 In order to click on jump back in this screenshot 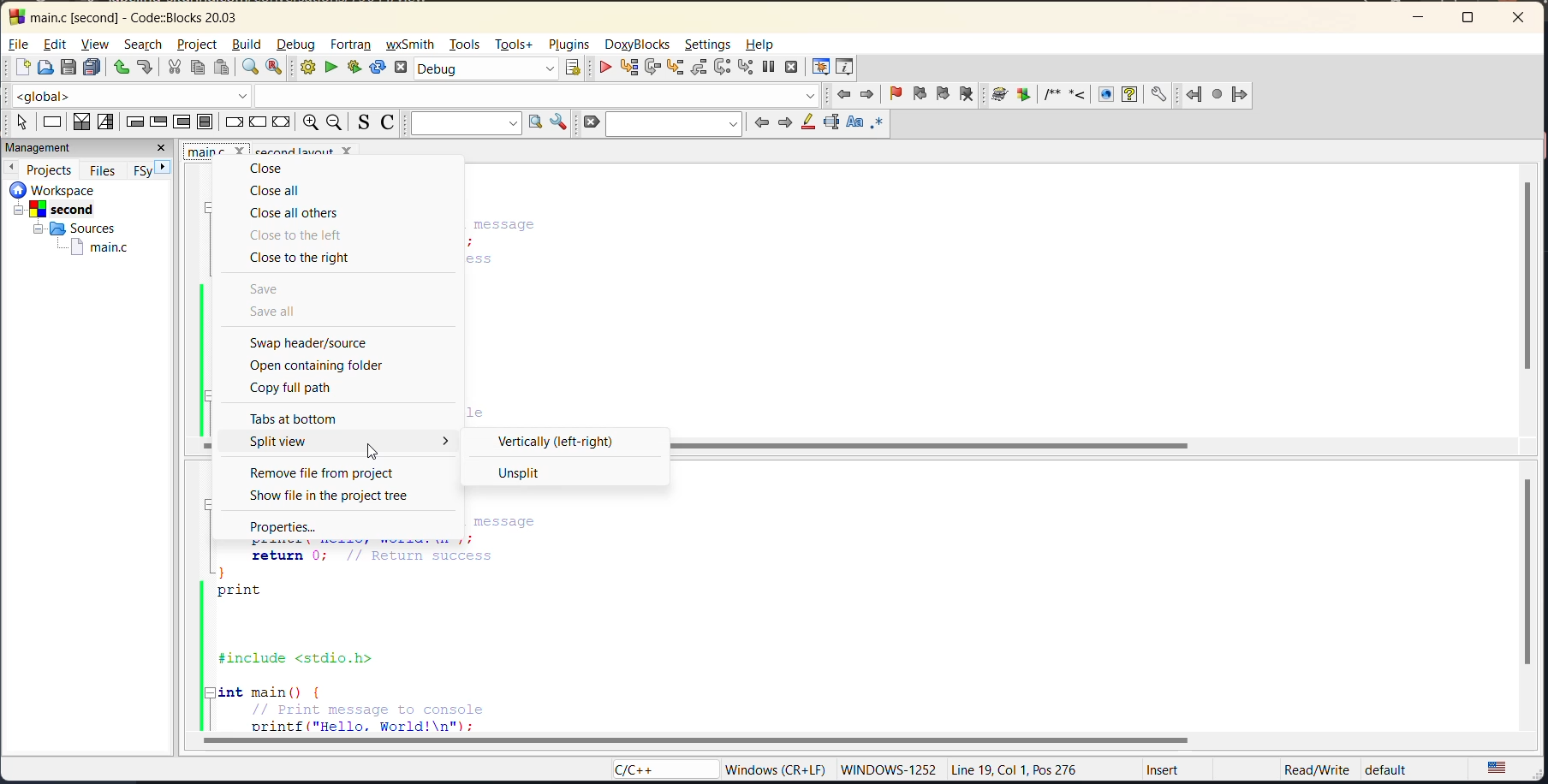, I will do `click(846, 95)`.